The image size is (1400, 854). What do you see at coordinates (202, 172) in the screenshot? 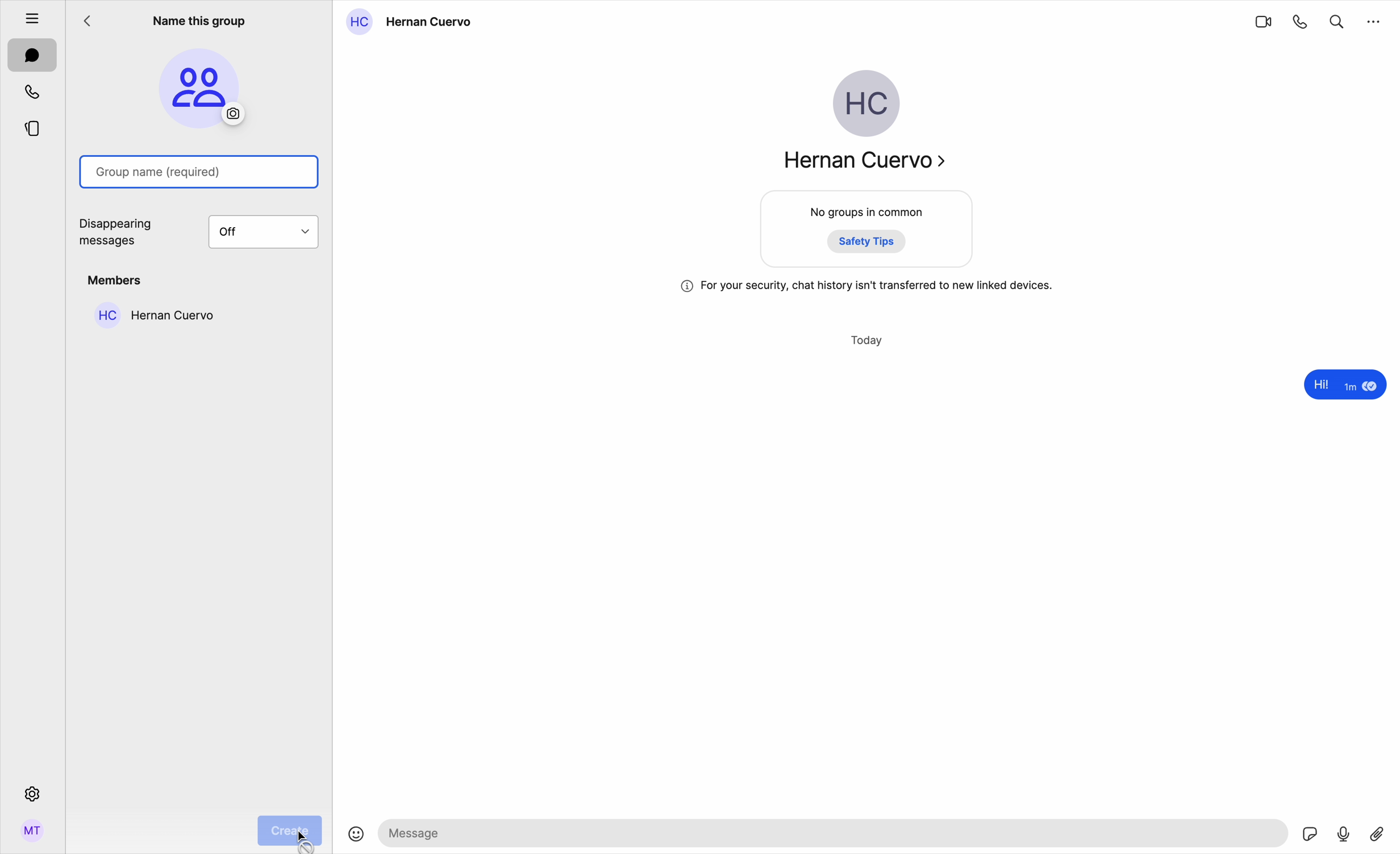
I see `space to write group name ` at bounding box center [202, 172].